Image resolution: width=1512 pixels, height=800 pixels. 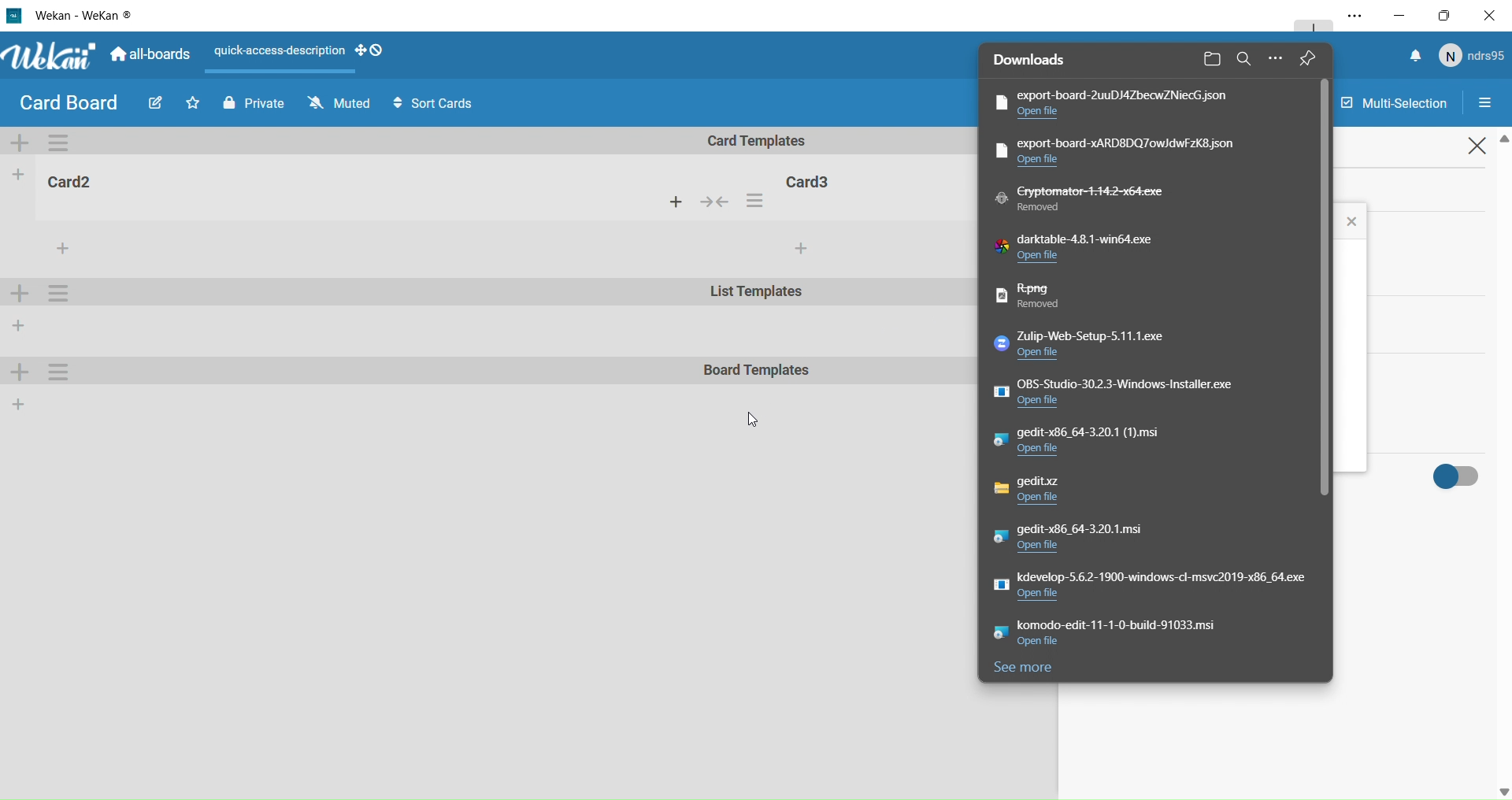 What do you see at coordinates (1492, 104) in the screenshot?
I see `Settings` at bounding box center [1492, 104].